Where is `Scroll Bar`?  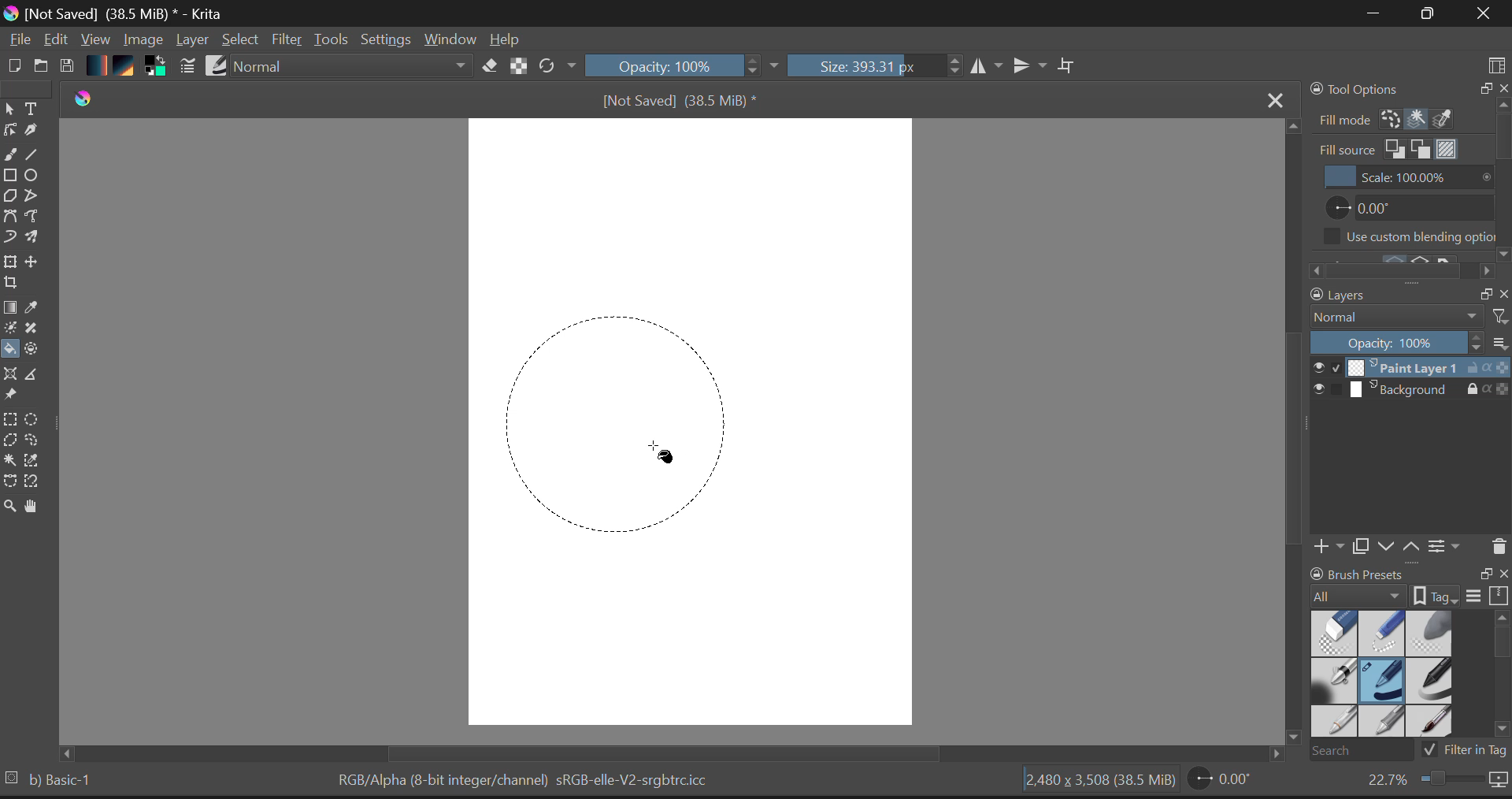 Scroll Bar is located at coordinates (1291, 440).